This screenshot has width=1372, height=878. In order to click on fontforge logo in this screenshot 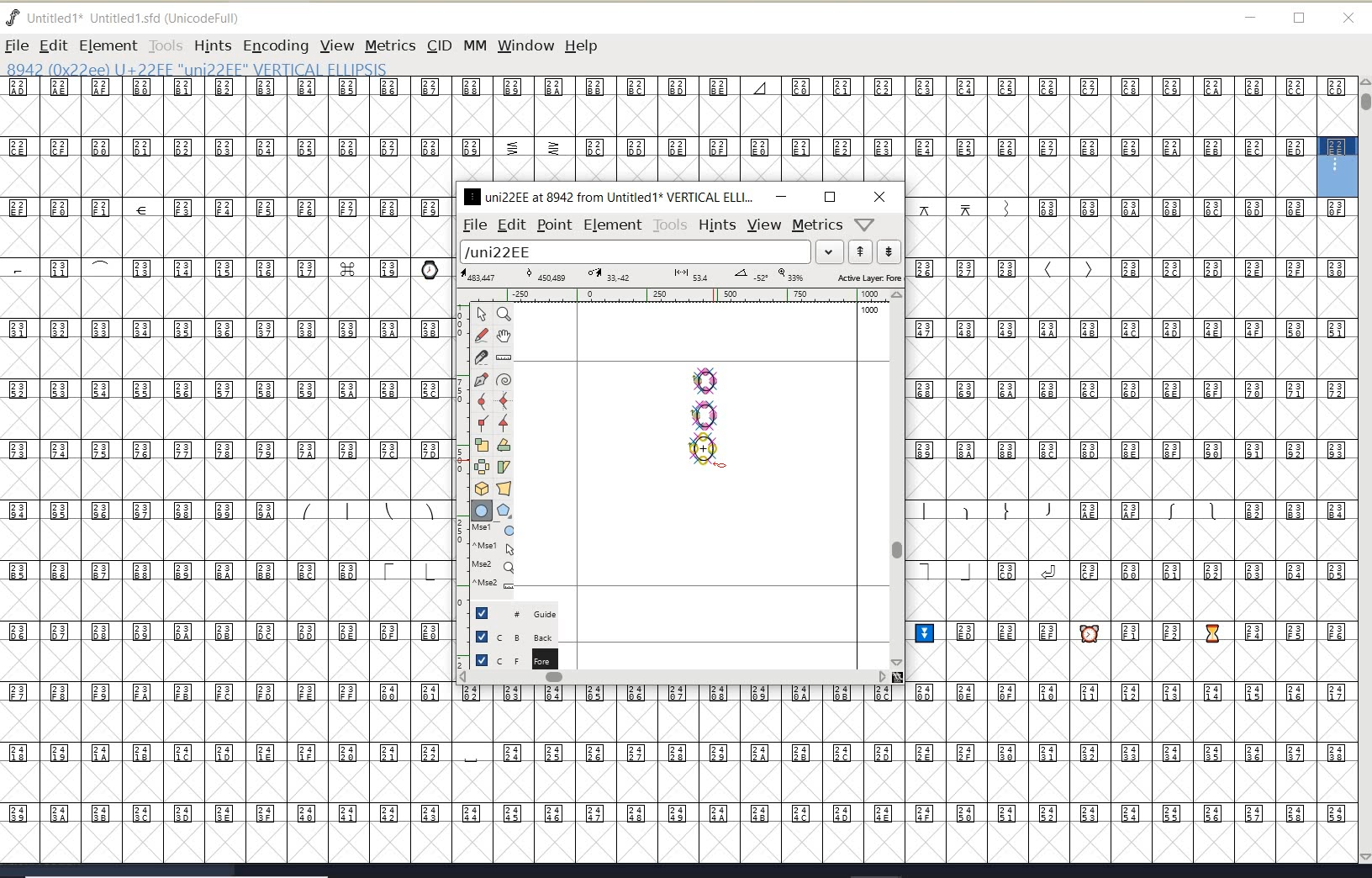, I will do `click(13, 18)`.